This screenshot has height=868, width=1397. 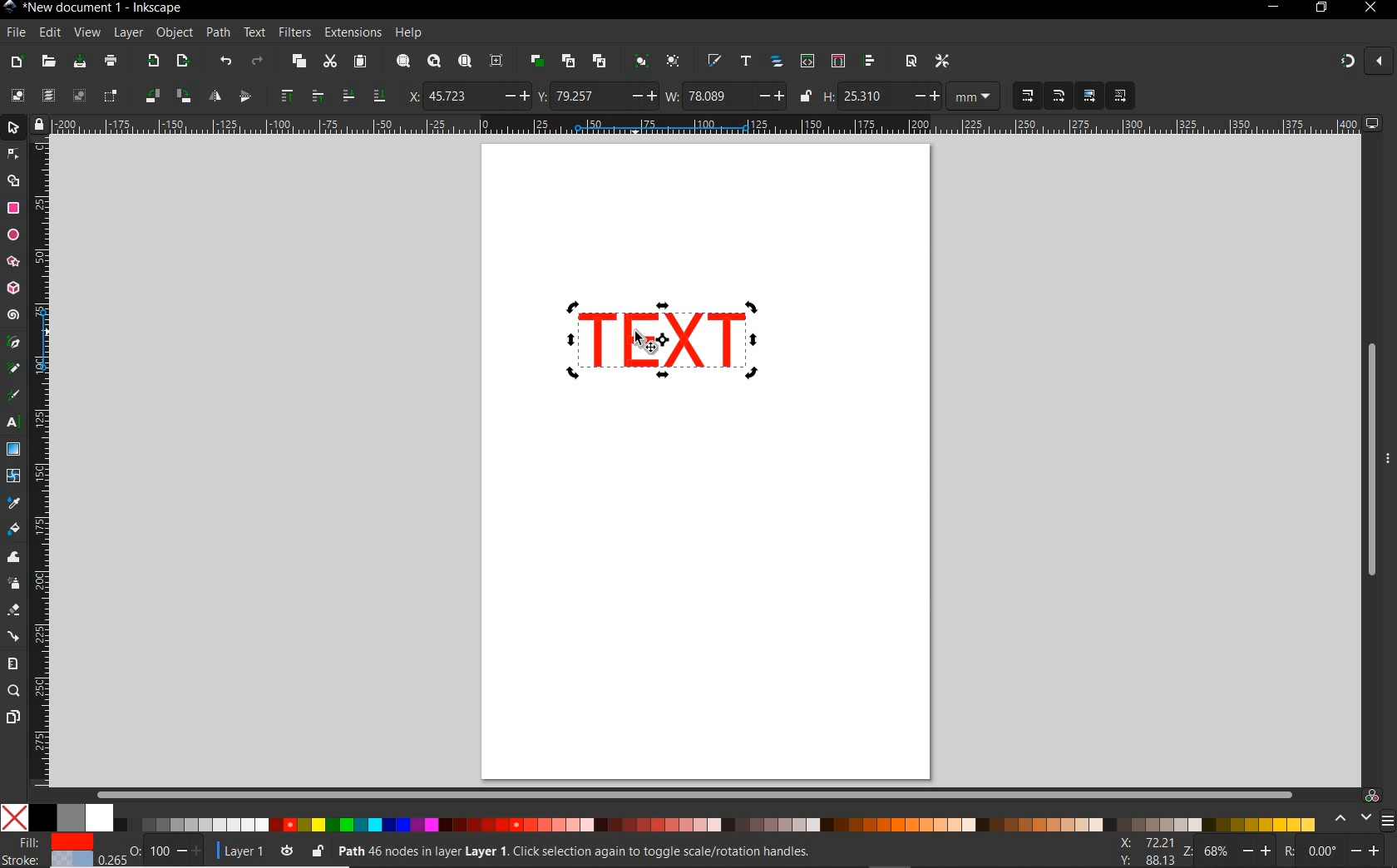 I want to click on LOWER SELECTION, so click(x=362, y=96).